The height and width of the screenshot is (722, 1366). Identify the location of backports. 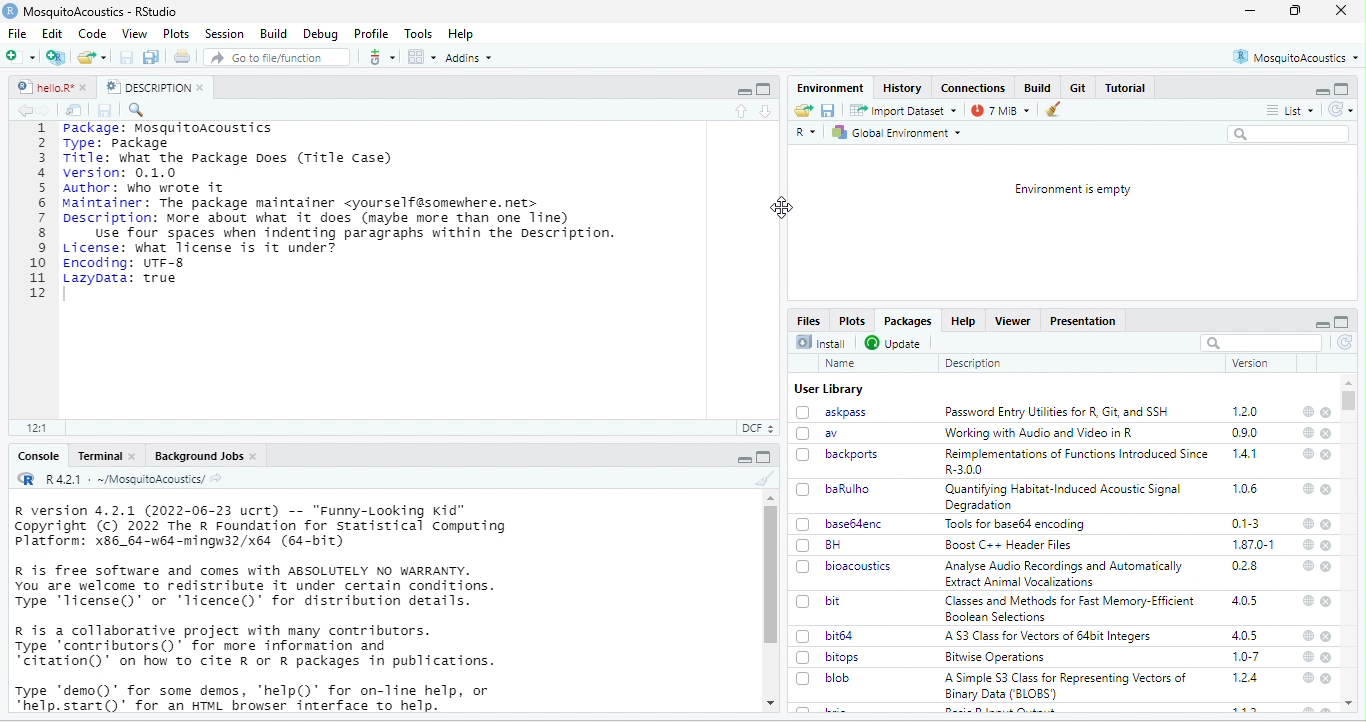
(840, 454).